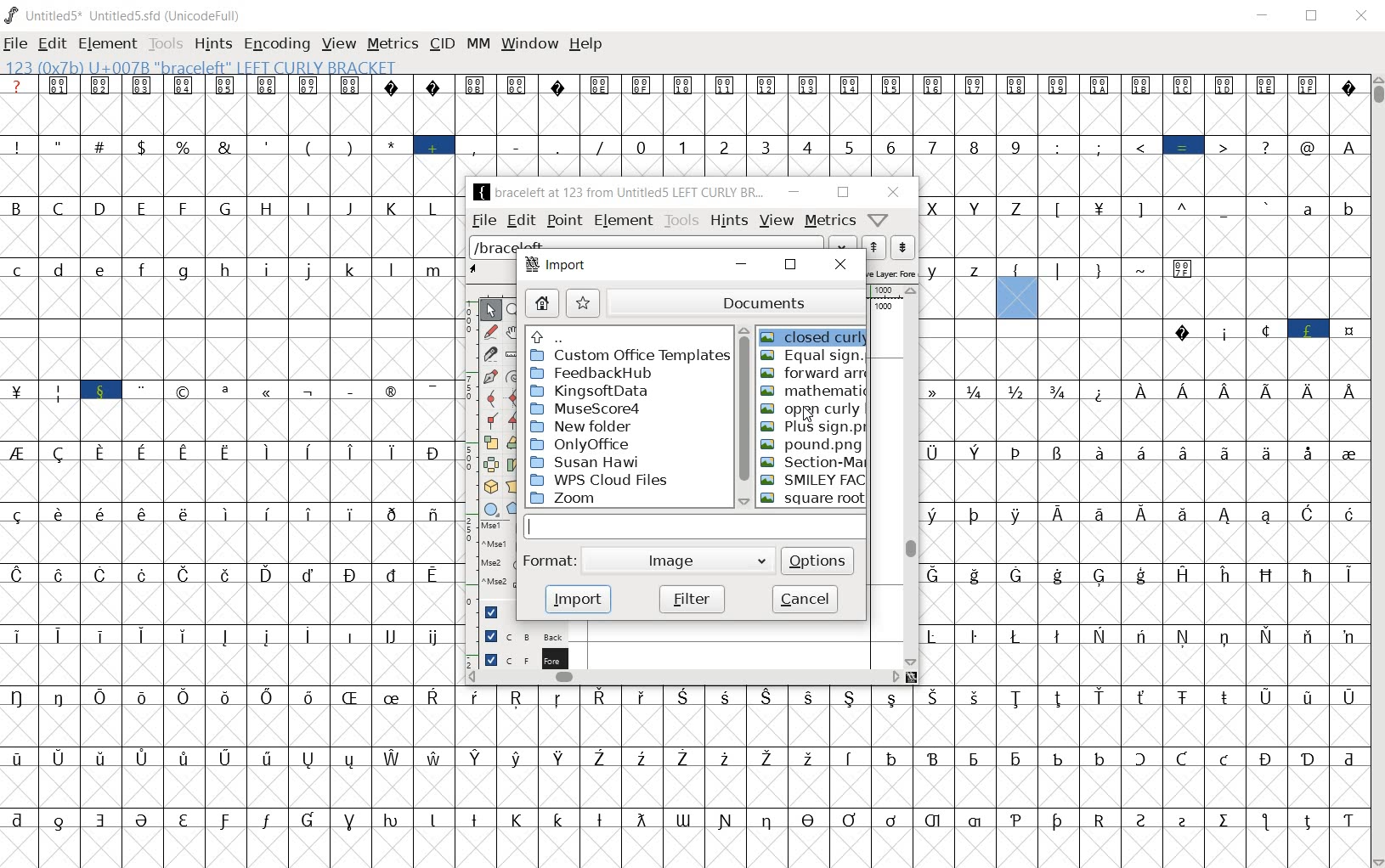 The image size is (1385, 868). Describe the element at coordinates (892, 193) in the screenshot. I see `close` at that location.